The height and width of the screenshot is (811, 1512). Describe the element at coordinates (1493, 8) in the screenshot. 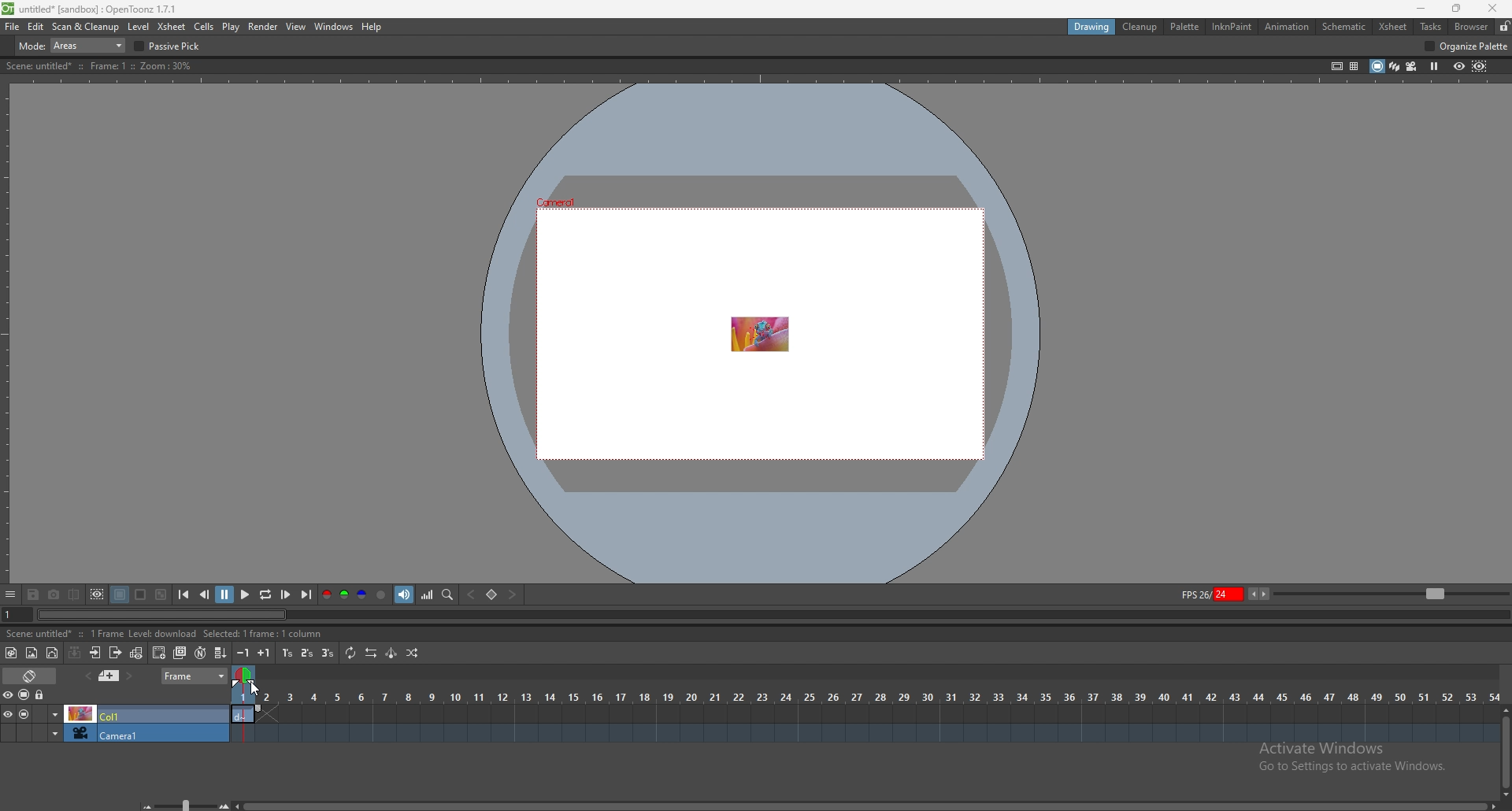

I see `close` at that location.